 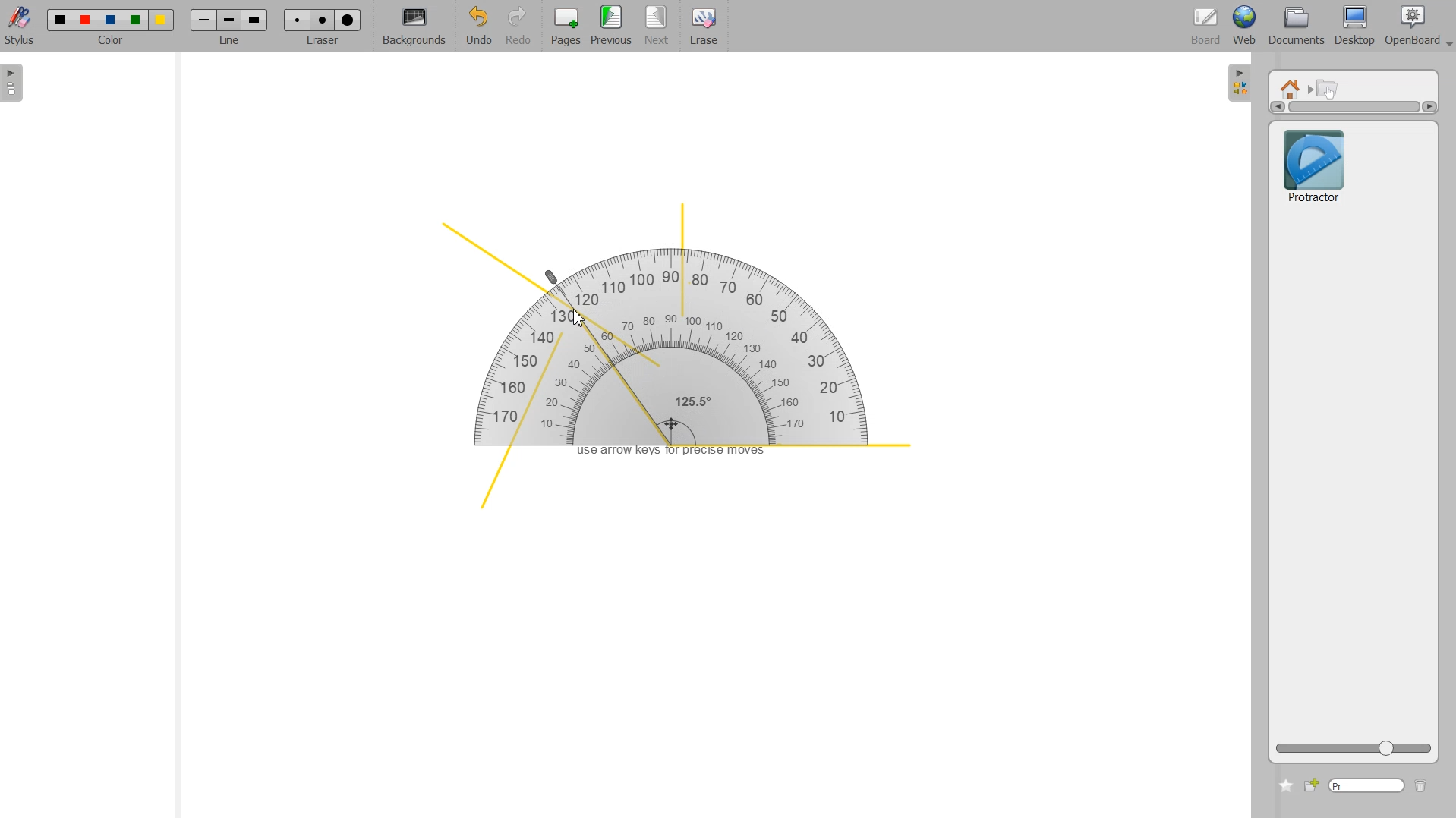 I want to click on Vertical scrollbar, so click(x=1354, y=107).